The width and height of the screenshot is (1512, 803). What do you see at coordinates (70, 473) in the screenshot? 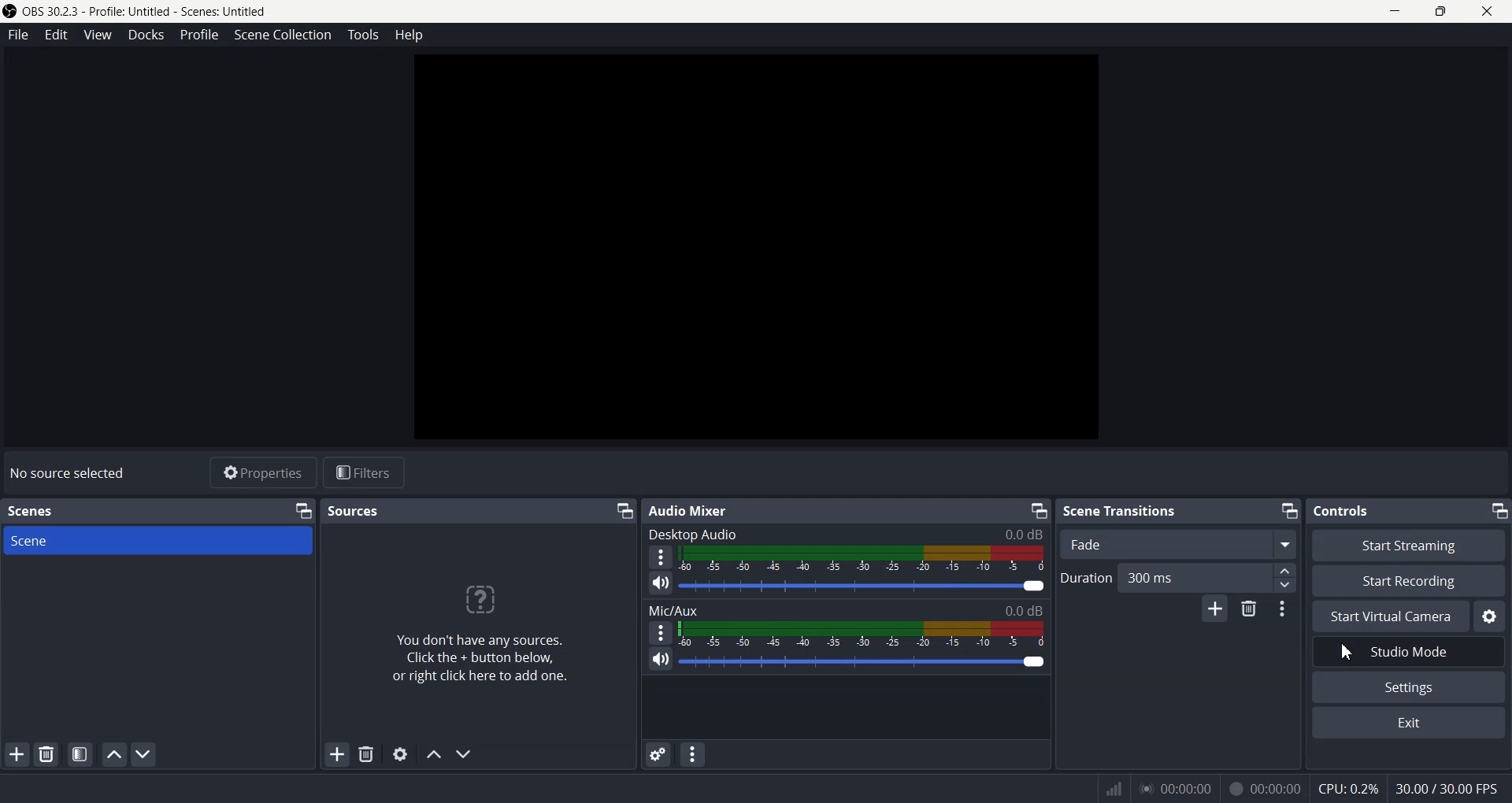
I see `No source selected` at bounding box center [70, 473].